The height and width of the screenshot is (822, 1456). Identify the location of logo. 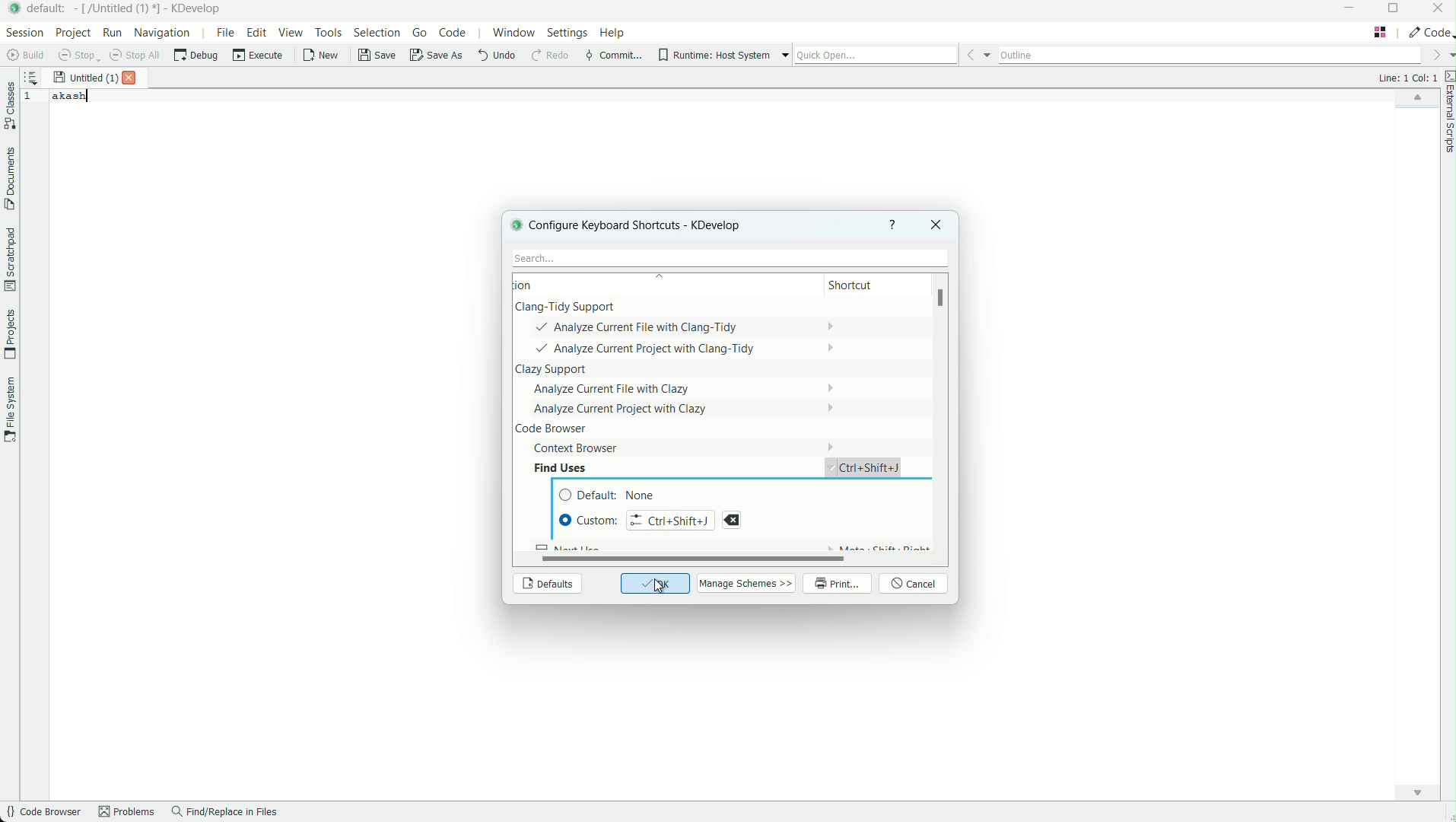
(514, 224).